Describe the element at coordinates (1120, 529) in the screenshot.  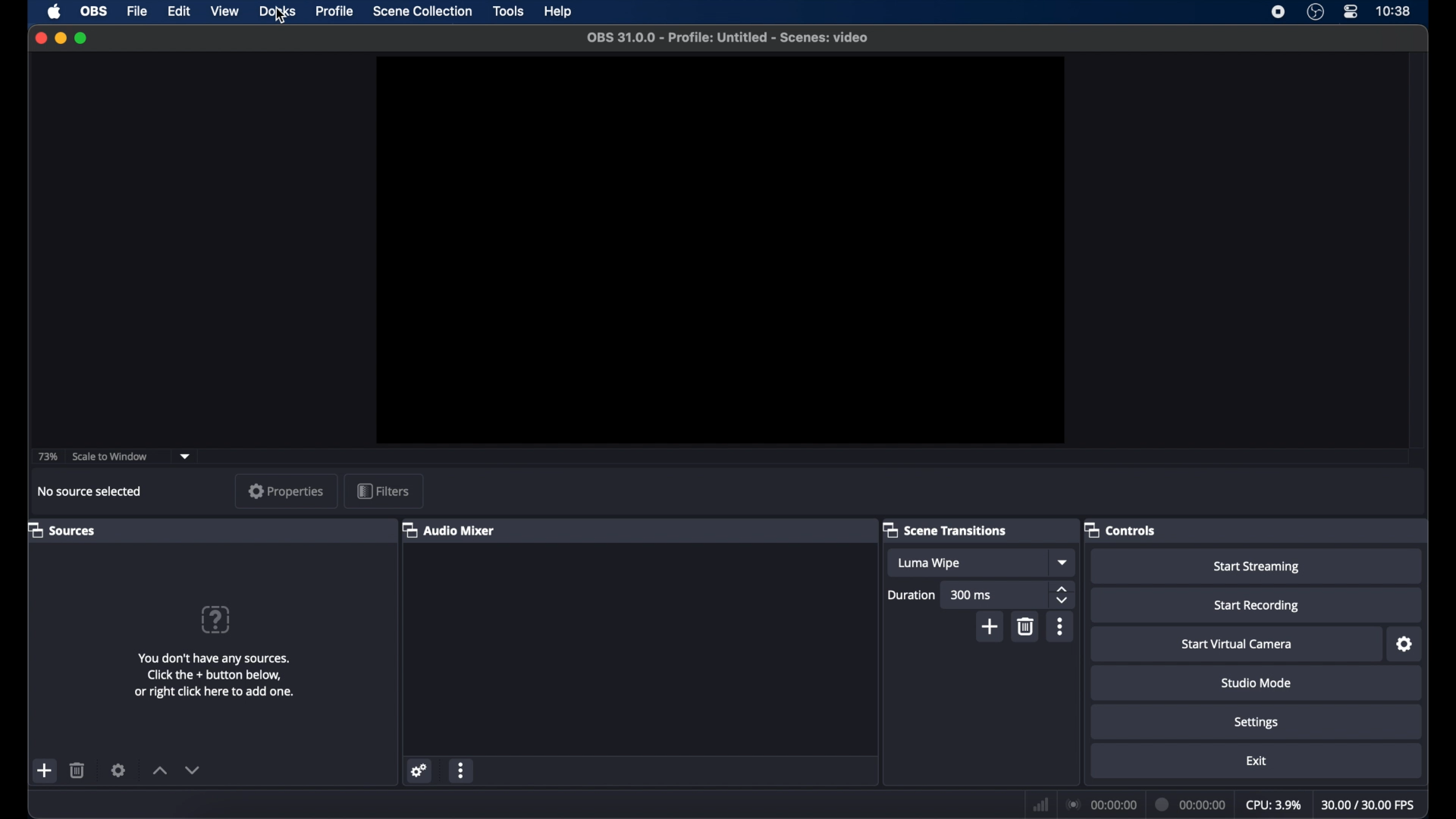
I see `controls` at that location.